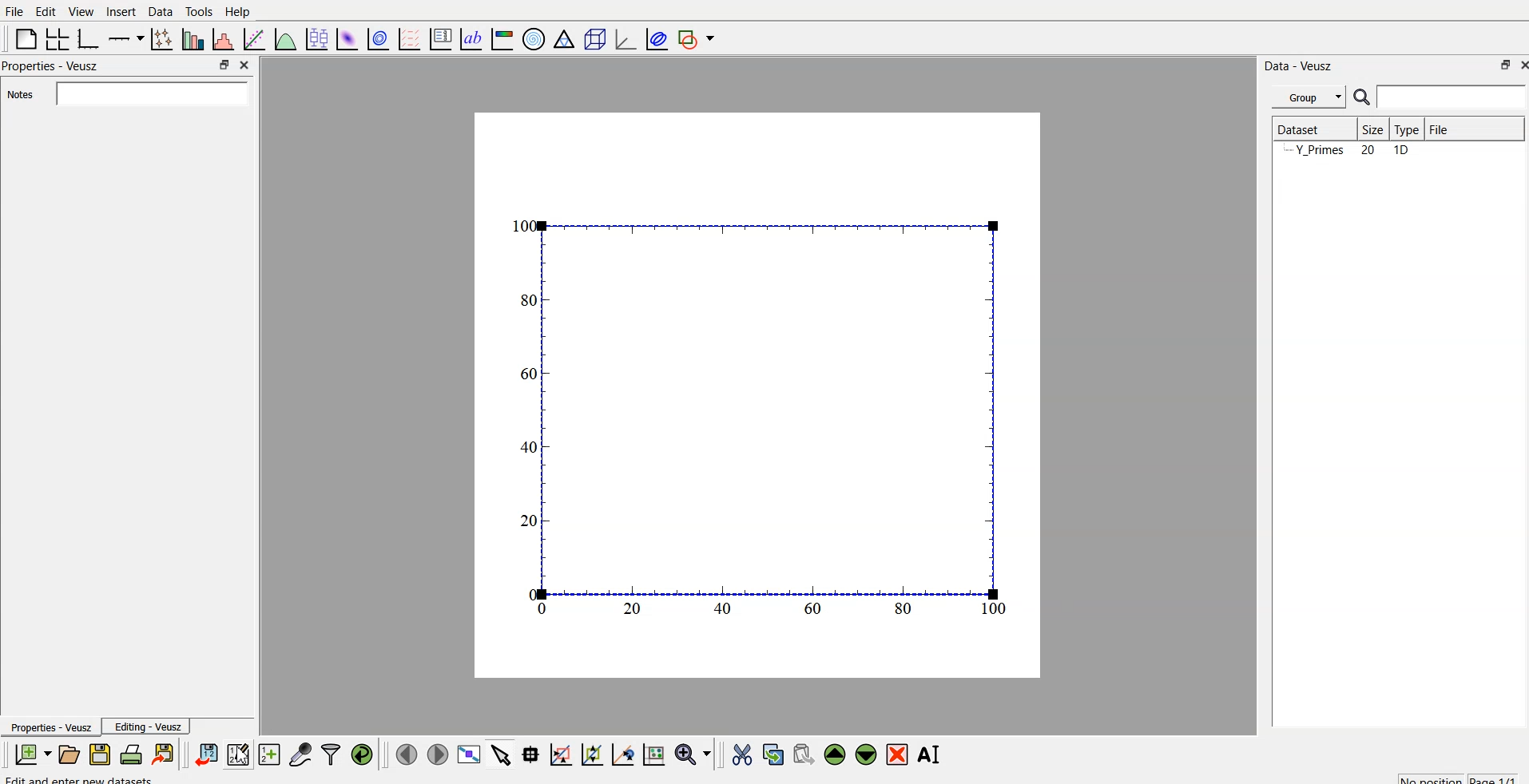  I want to click on print document, so click(133, 755).